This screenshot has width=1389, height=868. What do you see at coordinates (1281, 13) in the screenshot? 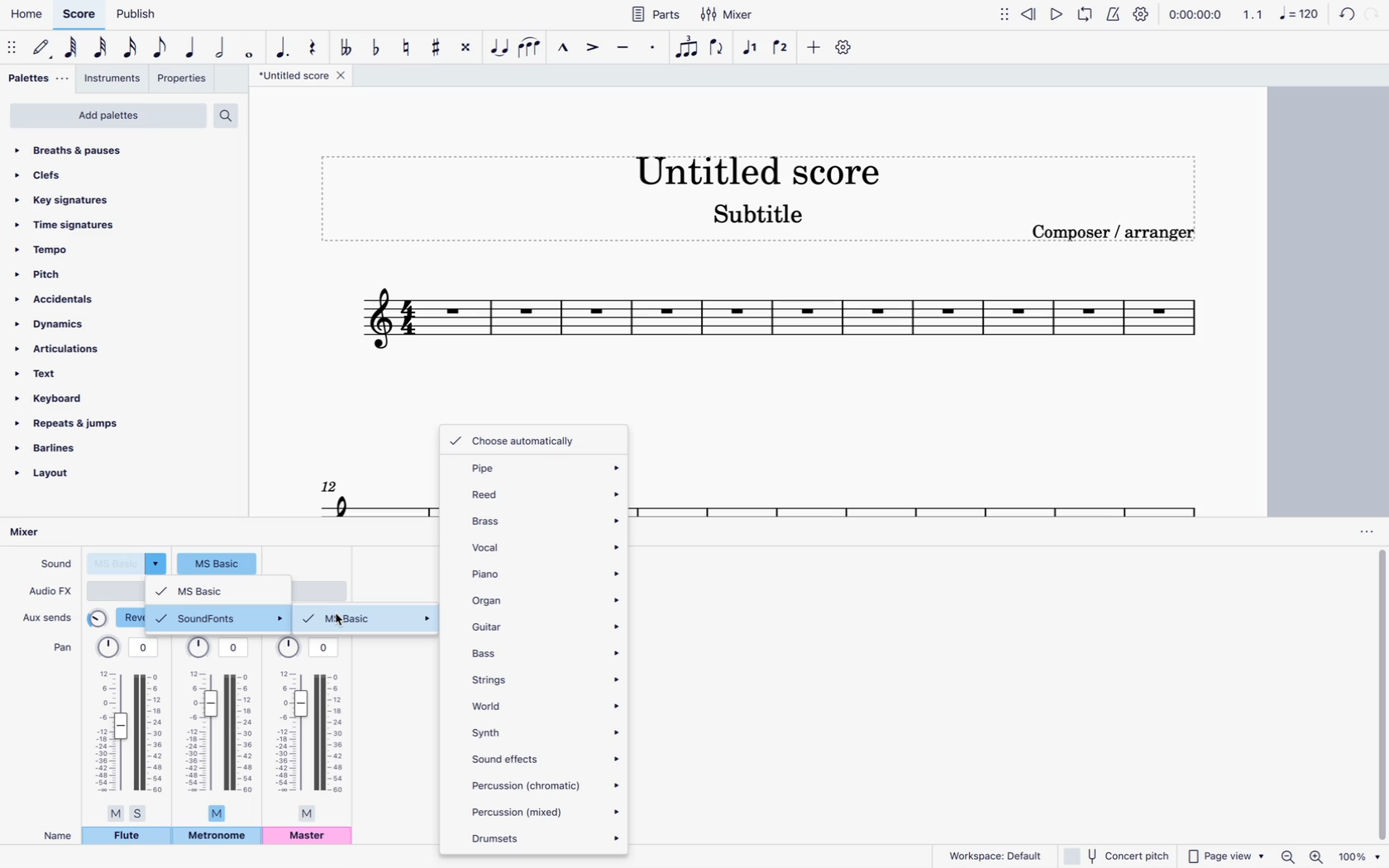
I see `scale` at bounding box center [1281, 13].